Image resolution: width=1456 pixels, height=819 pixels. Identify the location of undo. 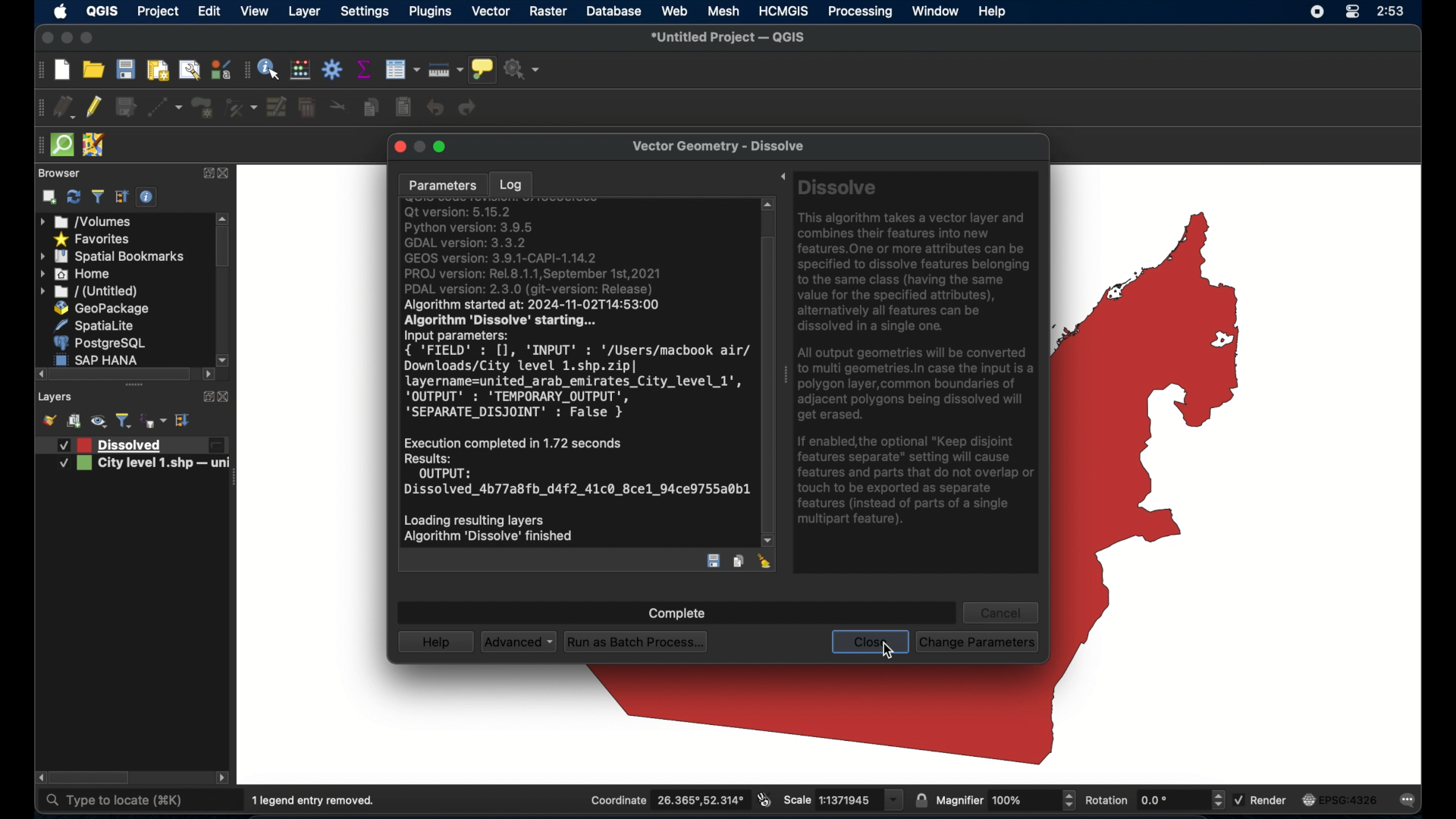
(435, 108).